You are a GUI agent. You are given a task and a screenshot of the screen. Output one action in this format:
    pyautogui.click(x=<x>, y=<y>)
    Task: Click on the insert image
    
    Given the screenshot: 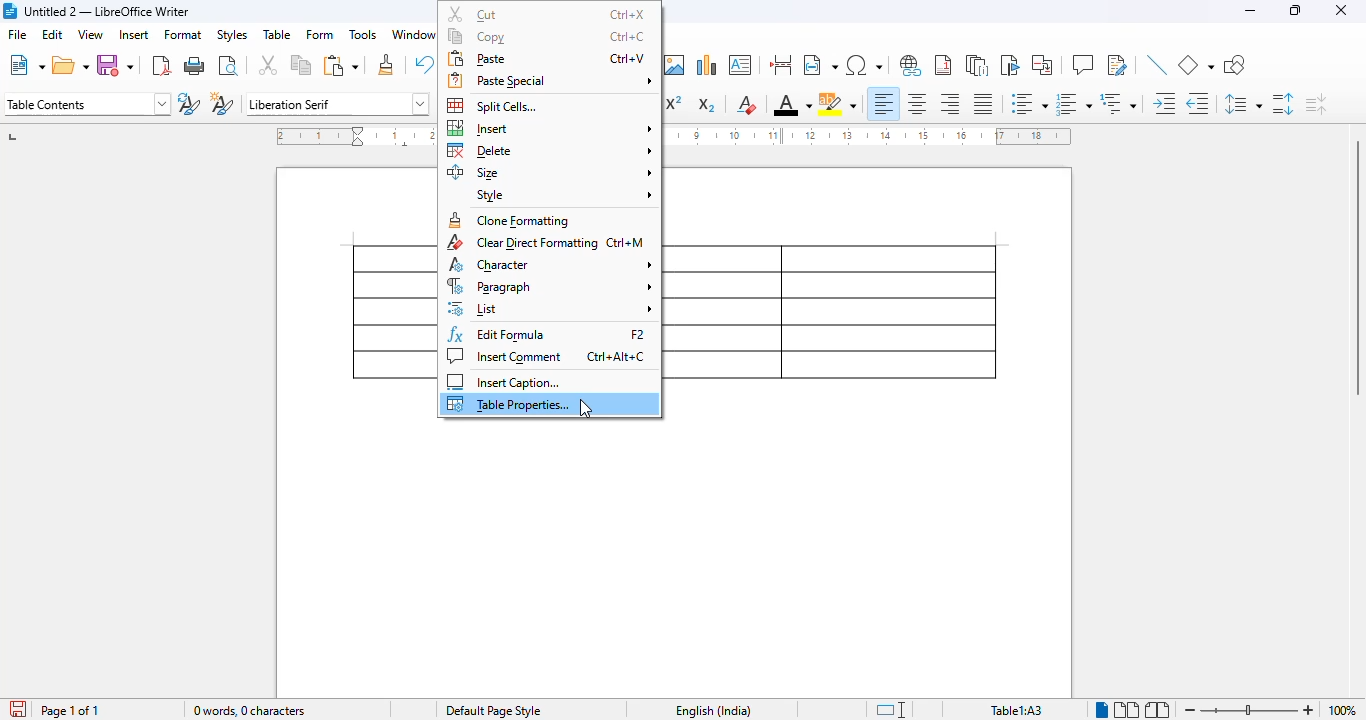 What is the action you would take?
    pyautogui.click(x=674, y=64)
    